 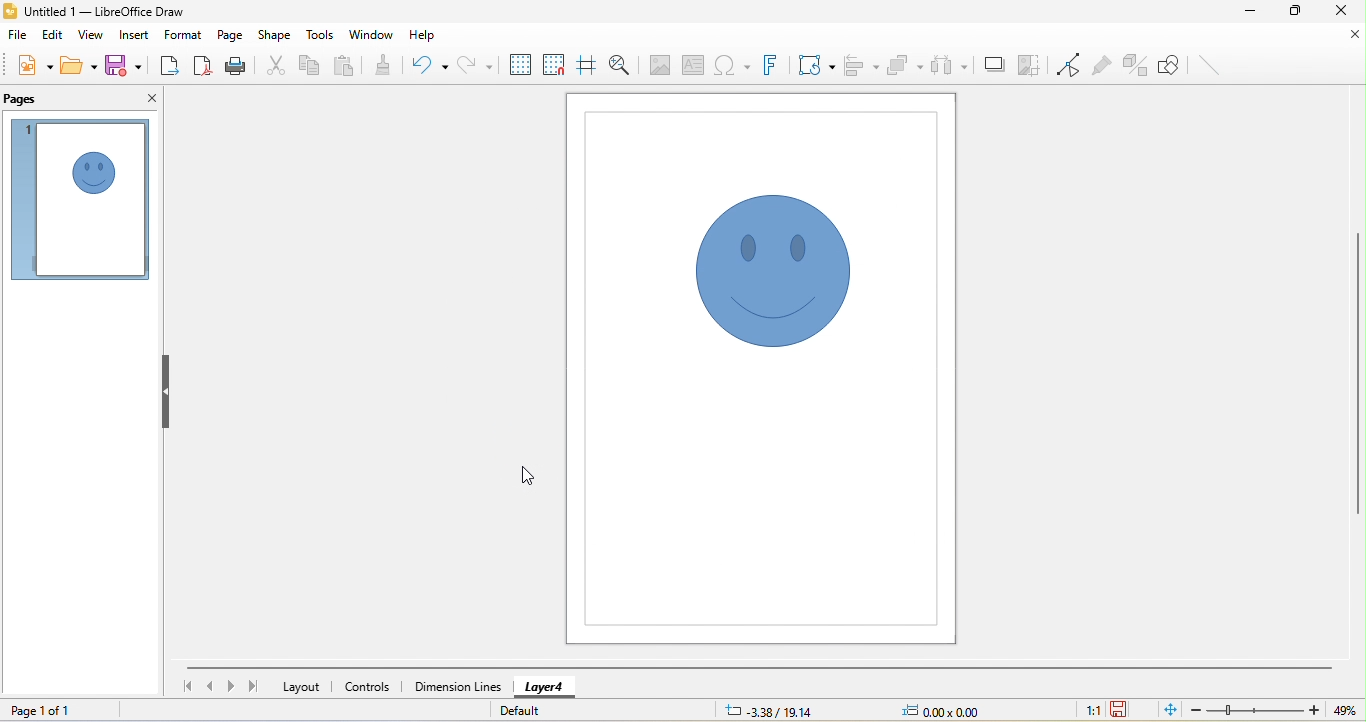 What do you see at coordinates (731, 64) in the screenshot?
I see `special character` at bounding box center [731, 64].